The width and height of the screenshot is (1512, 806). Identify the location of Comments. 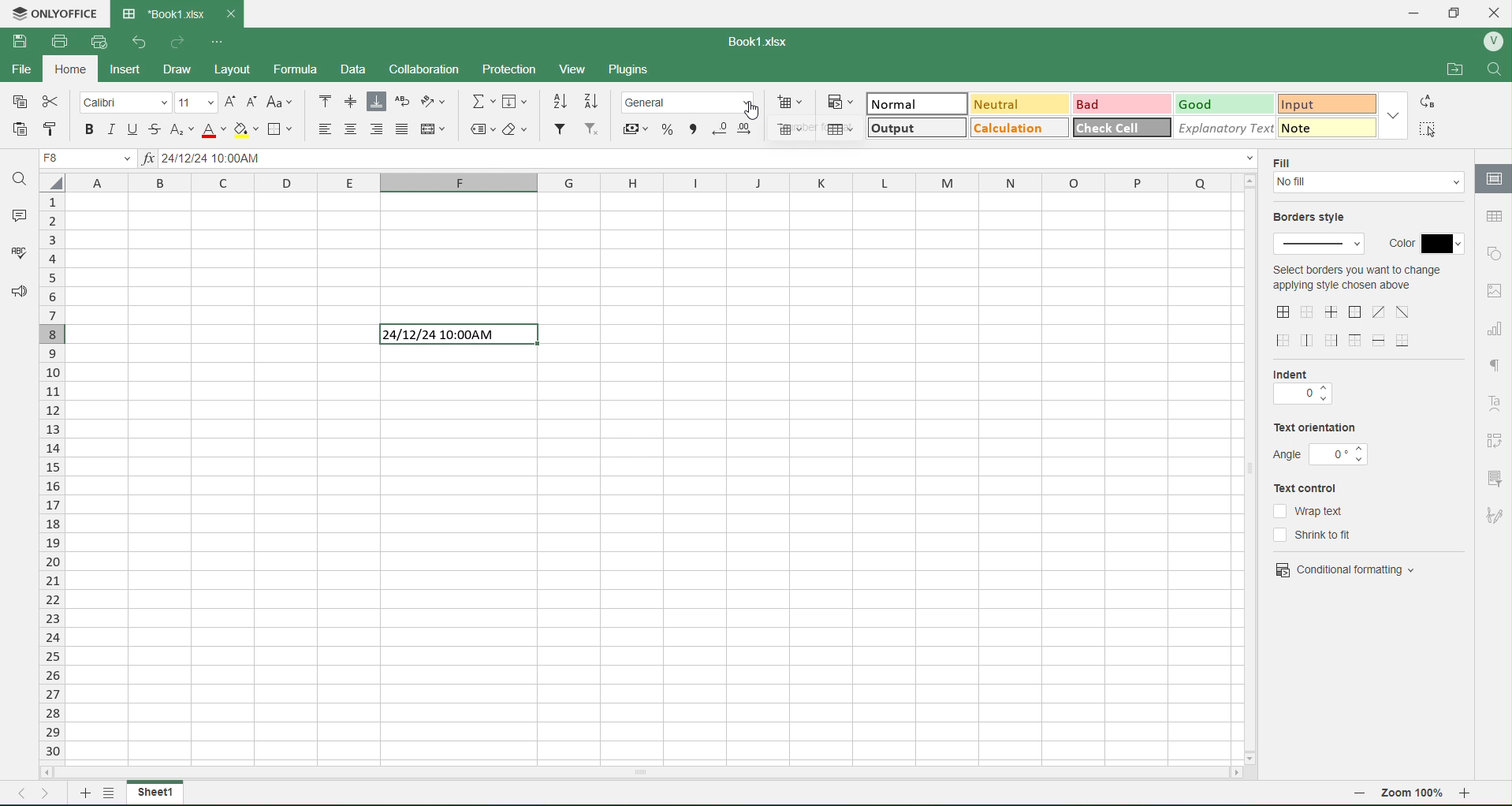
(17, 213).